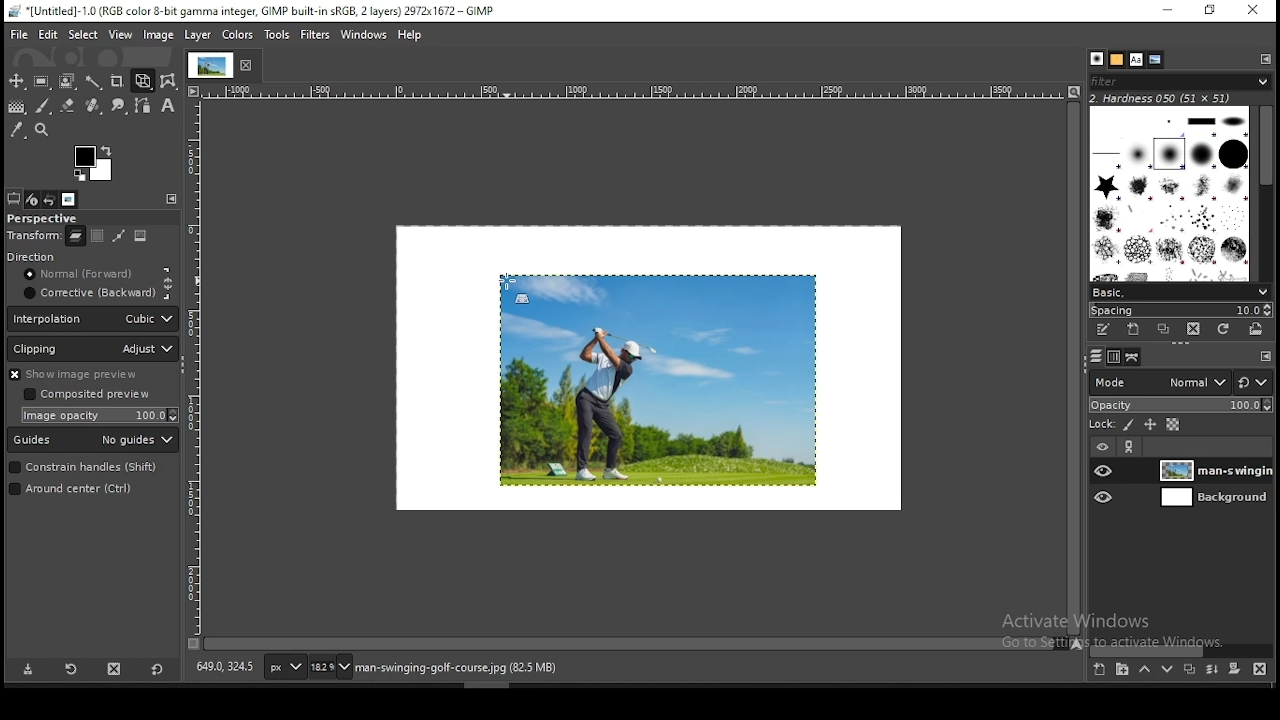  Describe the element at coordinates (84, 491) in the screenshot. I see `around the center` at that location.